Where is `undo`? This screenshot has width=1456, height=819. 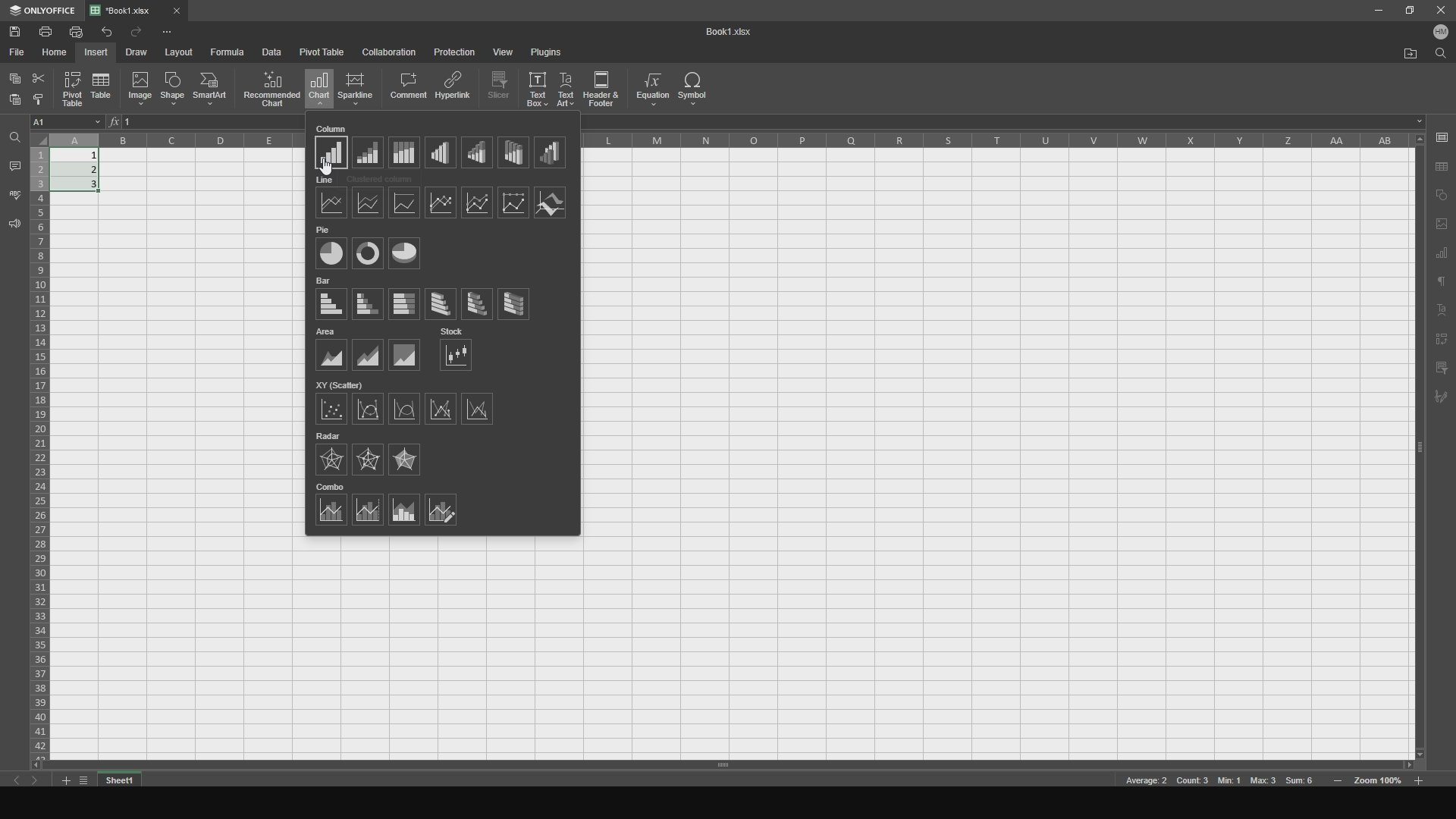 undo is located at coordinates (105, 31).